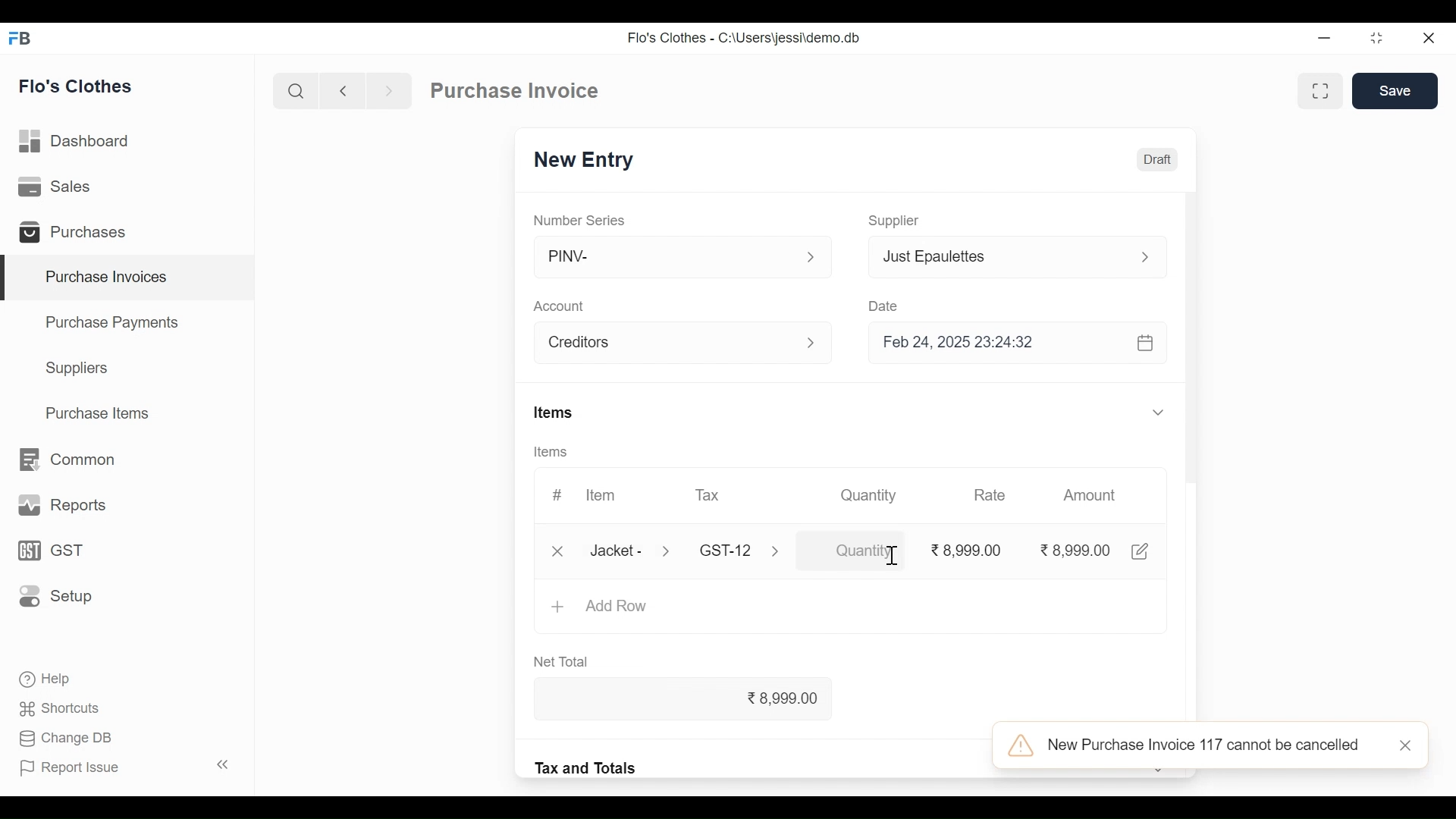  Describe the element at coordinates (817, 344) in the screenshot. I see `Expand` at that location.